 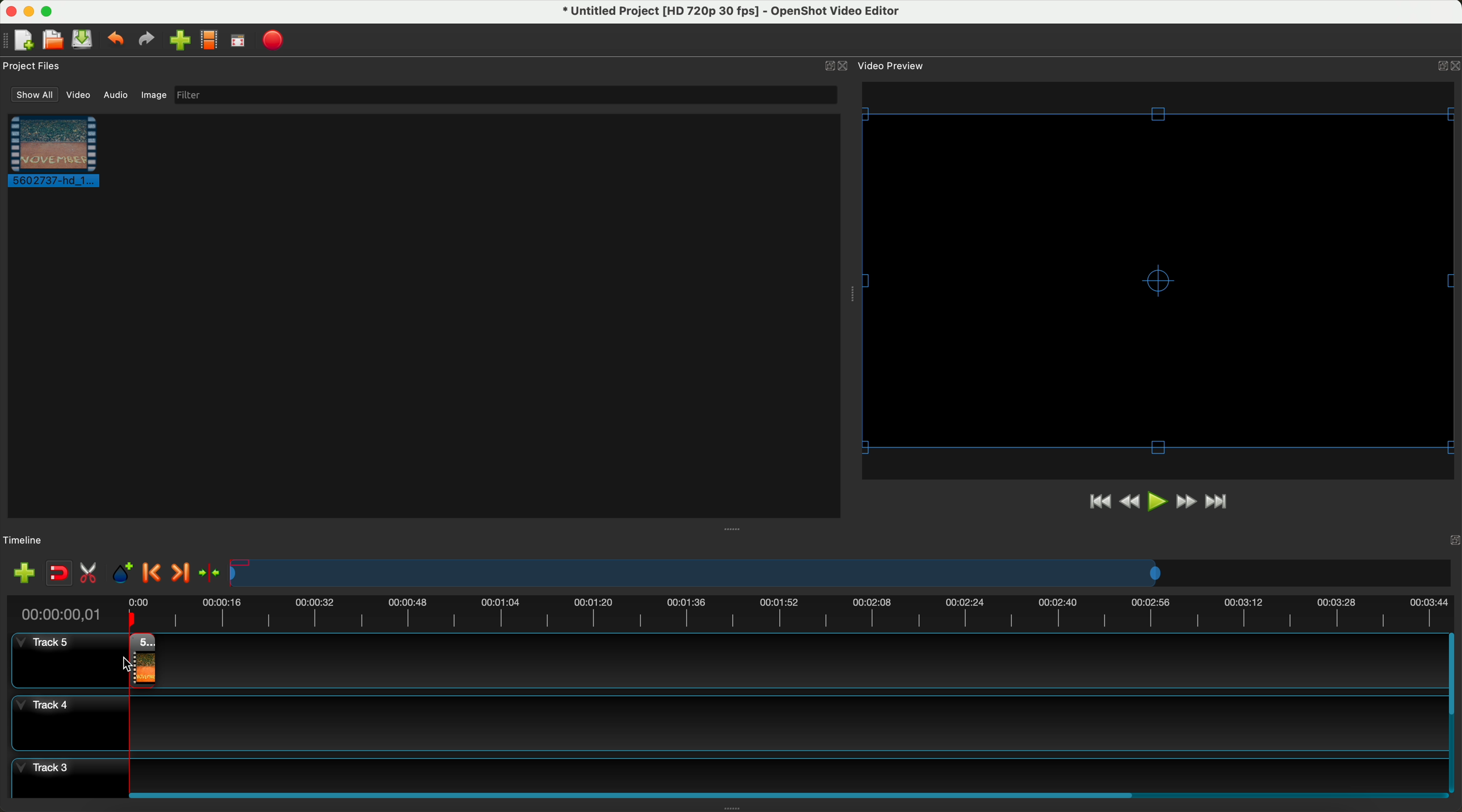 I want to click on , so click(x=1444, y=64).